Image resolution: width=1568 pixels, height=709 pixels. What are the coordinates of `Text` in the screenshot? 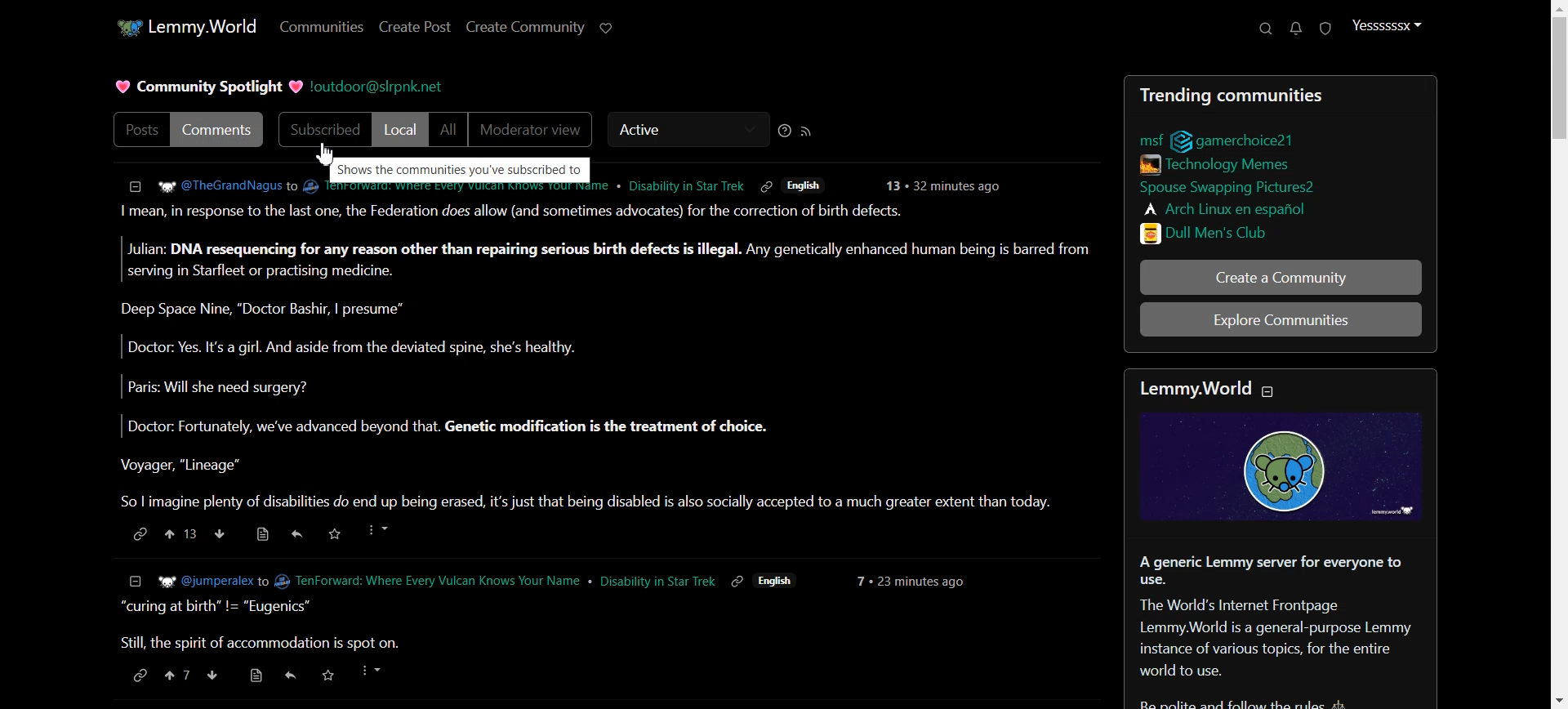 It's located at (1282, 630).